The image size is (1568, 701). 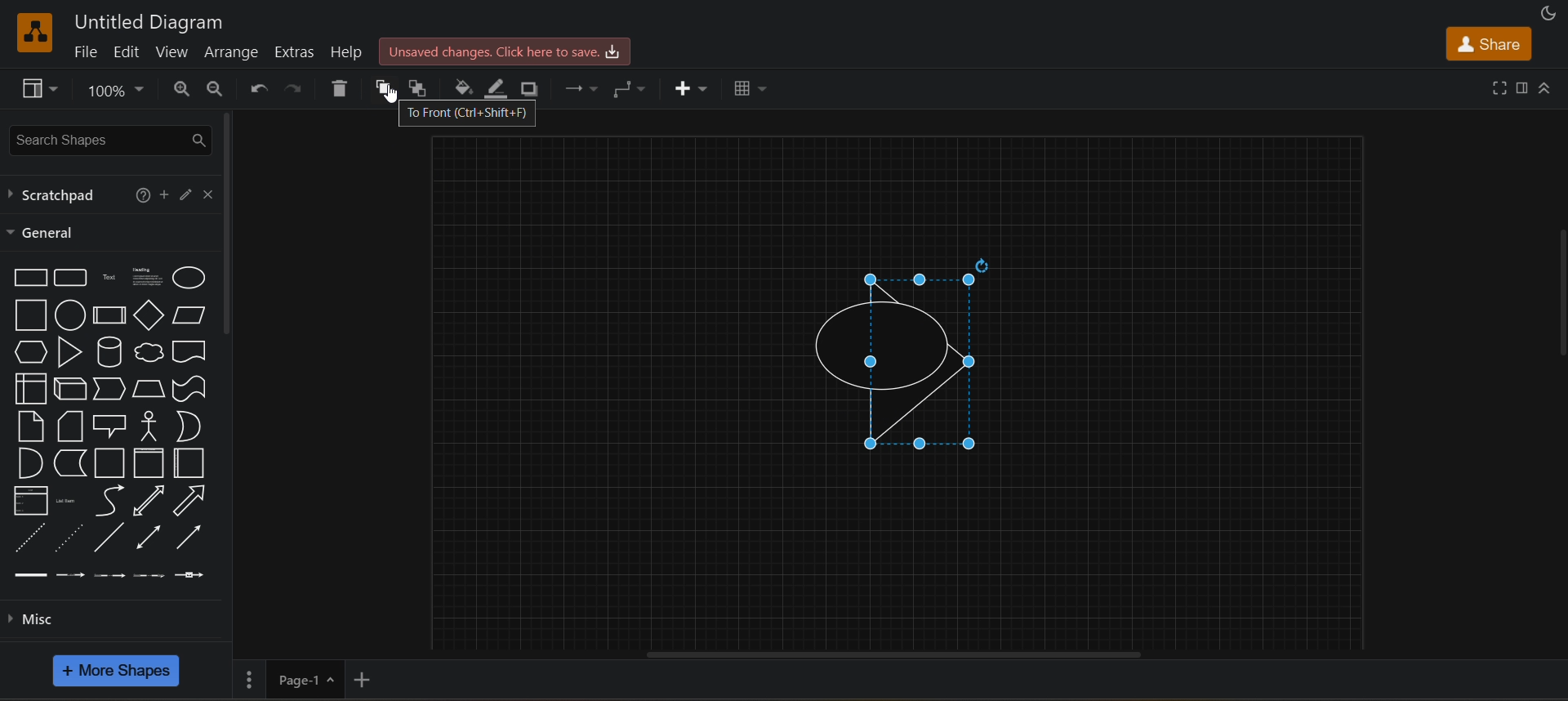 I want to click on format, so click(x=1520, y=86).